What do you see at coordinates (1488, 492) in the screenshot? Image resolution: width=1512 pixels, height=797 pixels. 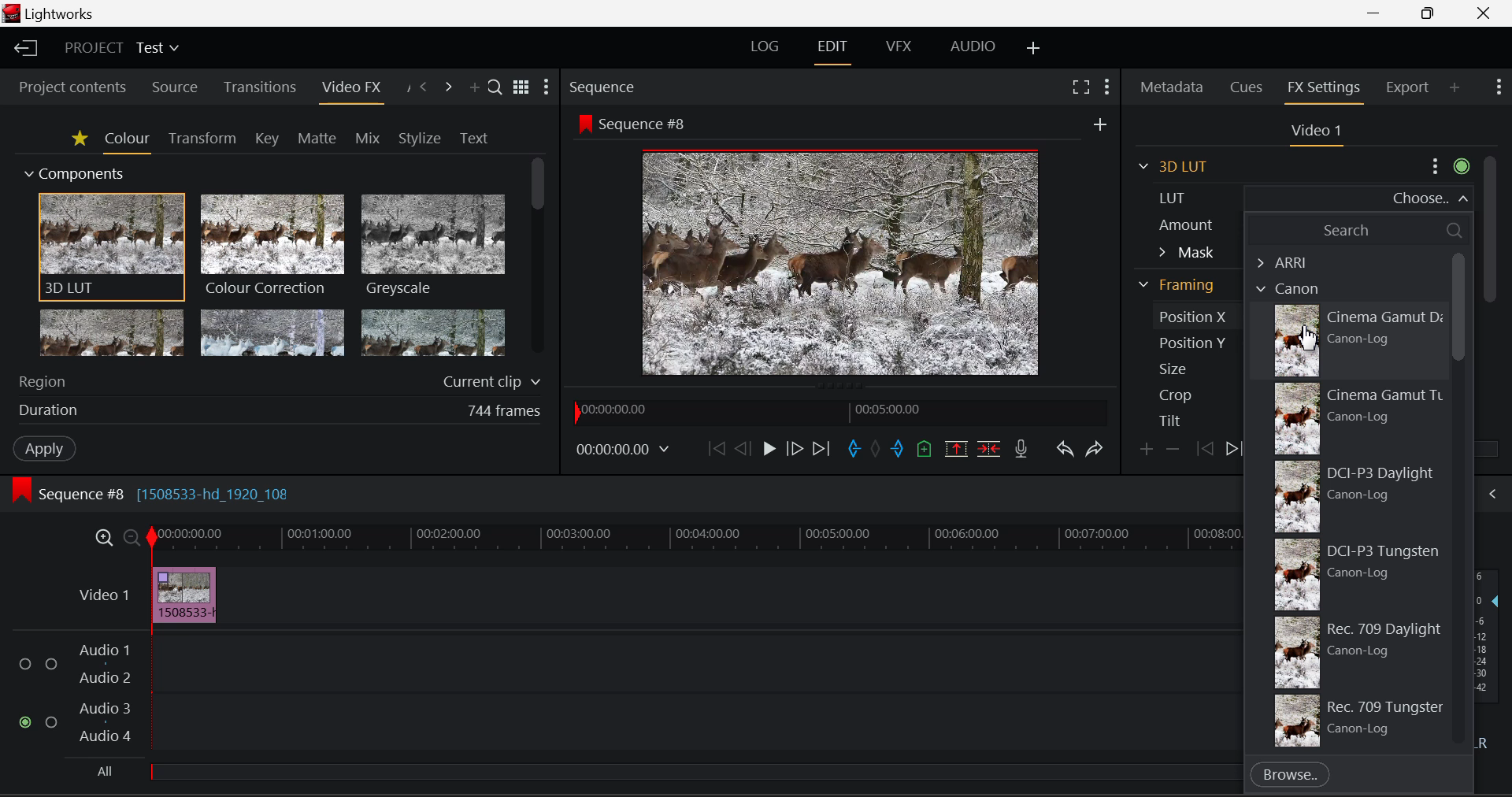 I see `Show Audio Mix` at bounding box center [1488, 492].